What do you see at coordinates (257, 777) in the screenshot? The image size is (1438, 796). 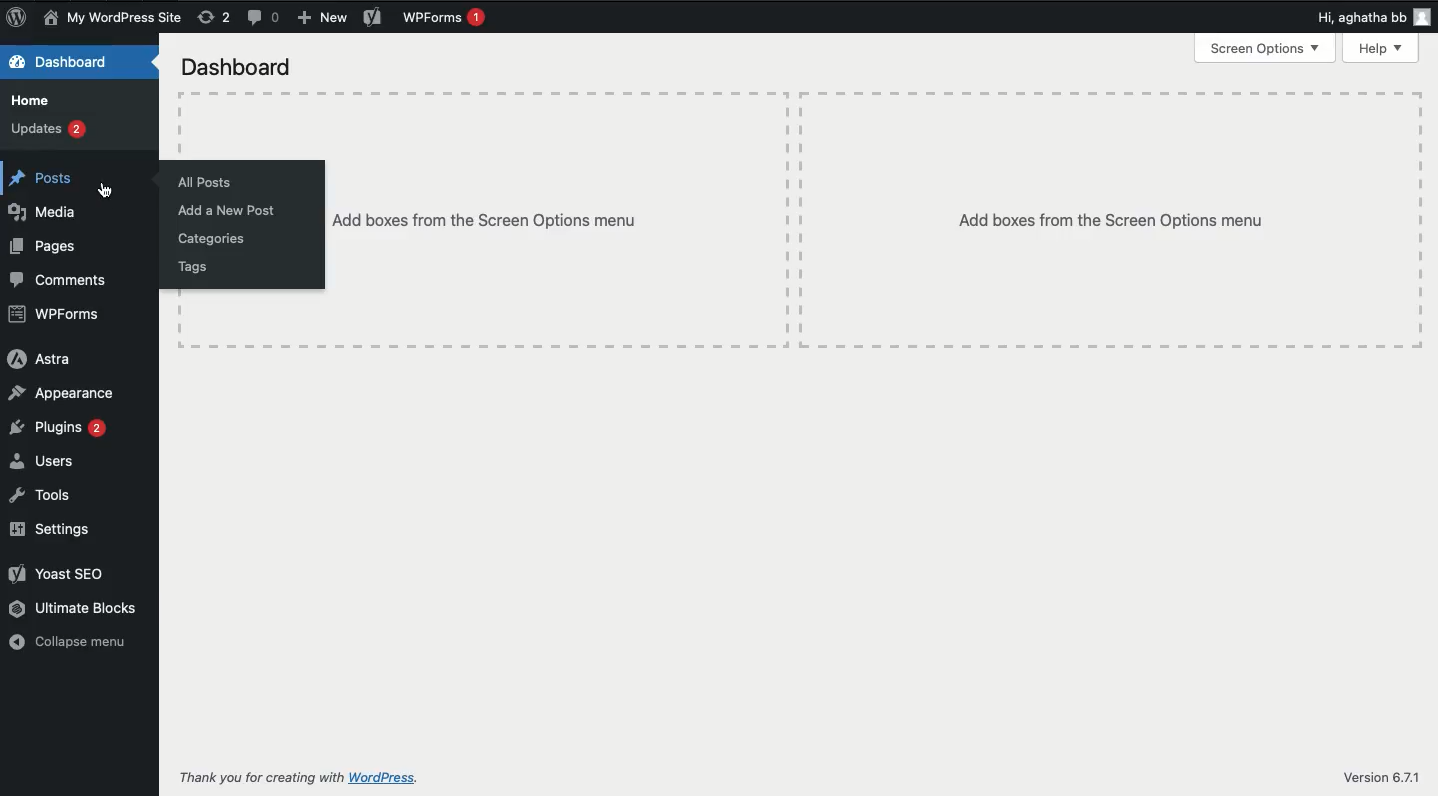 I see `Thank you for creating with WordPress` at bounding box center [257, 777].